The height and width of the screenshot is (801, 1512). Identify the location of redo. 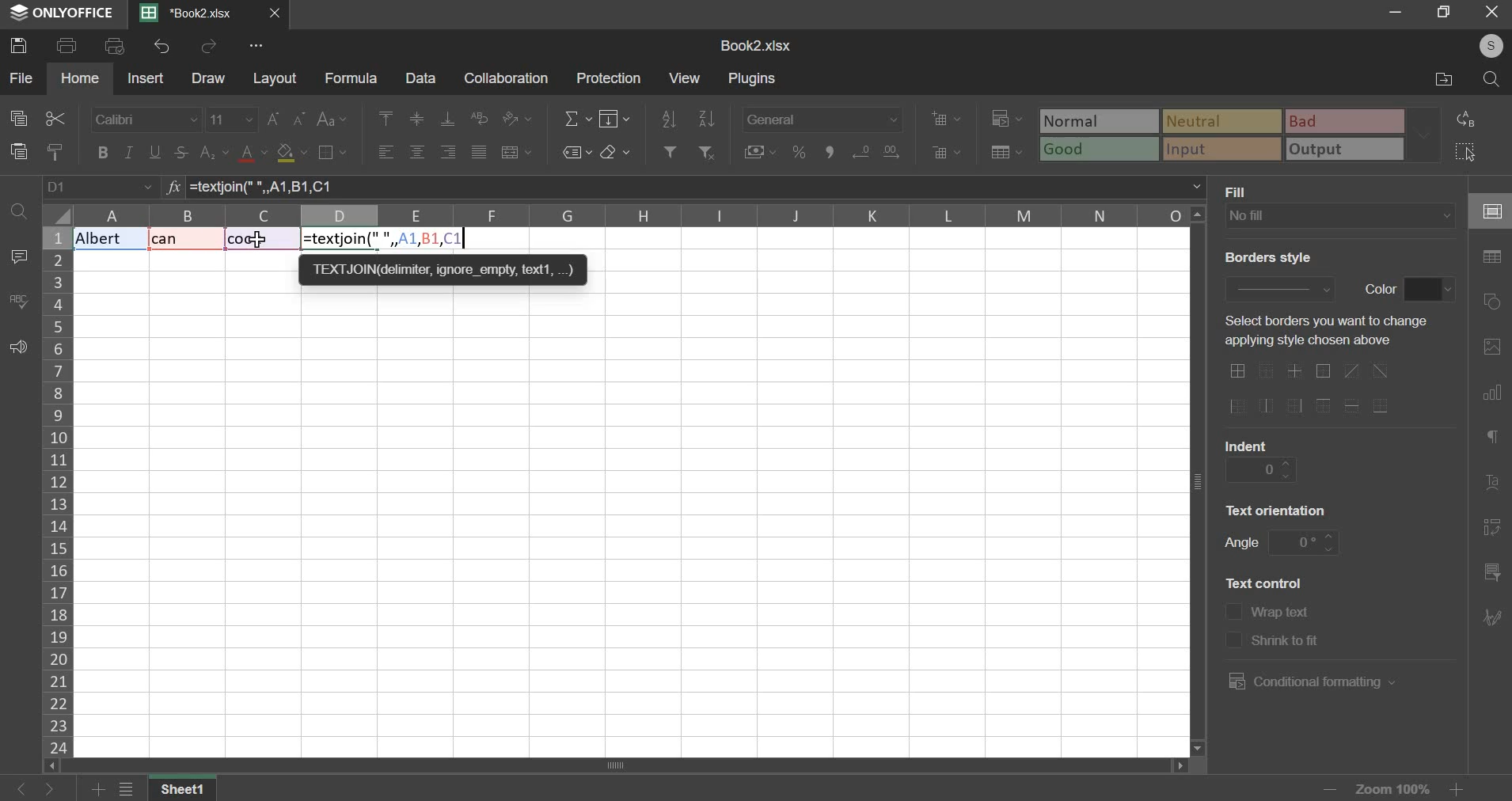
(211, 47).